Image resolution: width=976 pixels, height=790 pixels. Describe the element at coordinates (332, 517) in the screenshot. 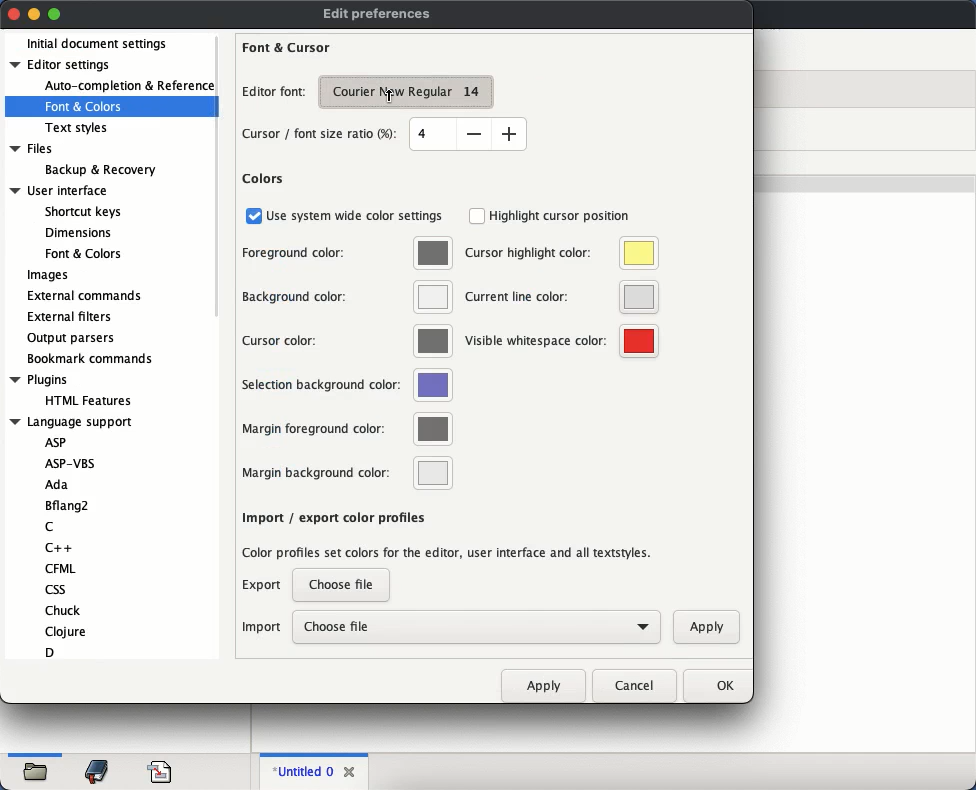

I see `import export color profiles` at that location.